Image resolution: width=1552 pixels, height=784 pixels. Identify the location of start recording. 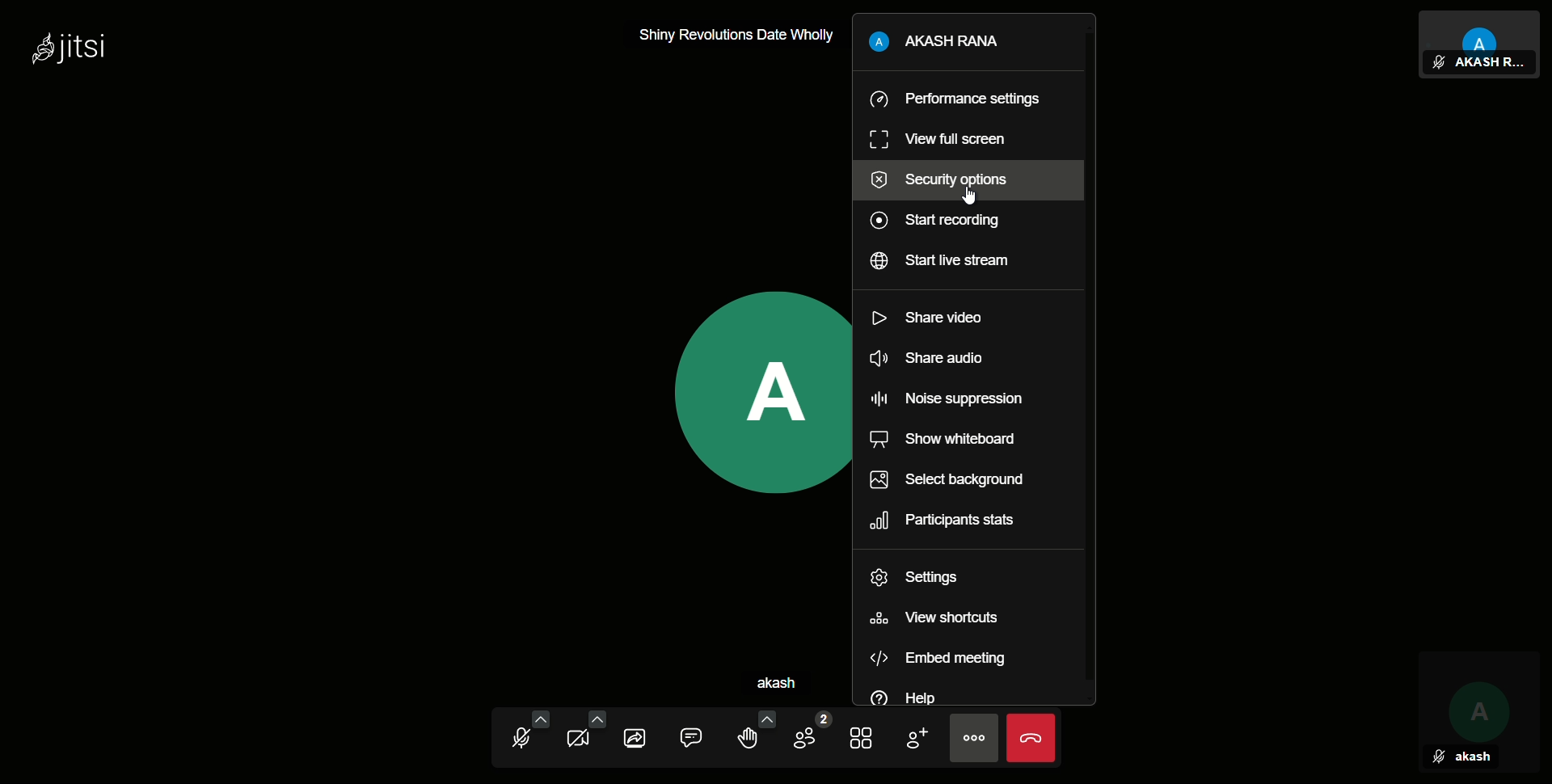
(934, 222).